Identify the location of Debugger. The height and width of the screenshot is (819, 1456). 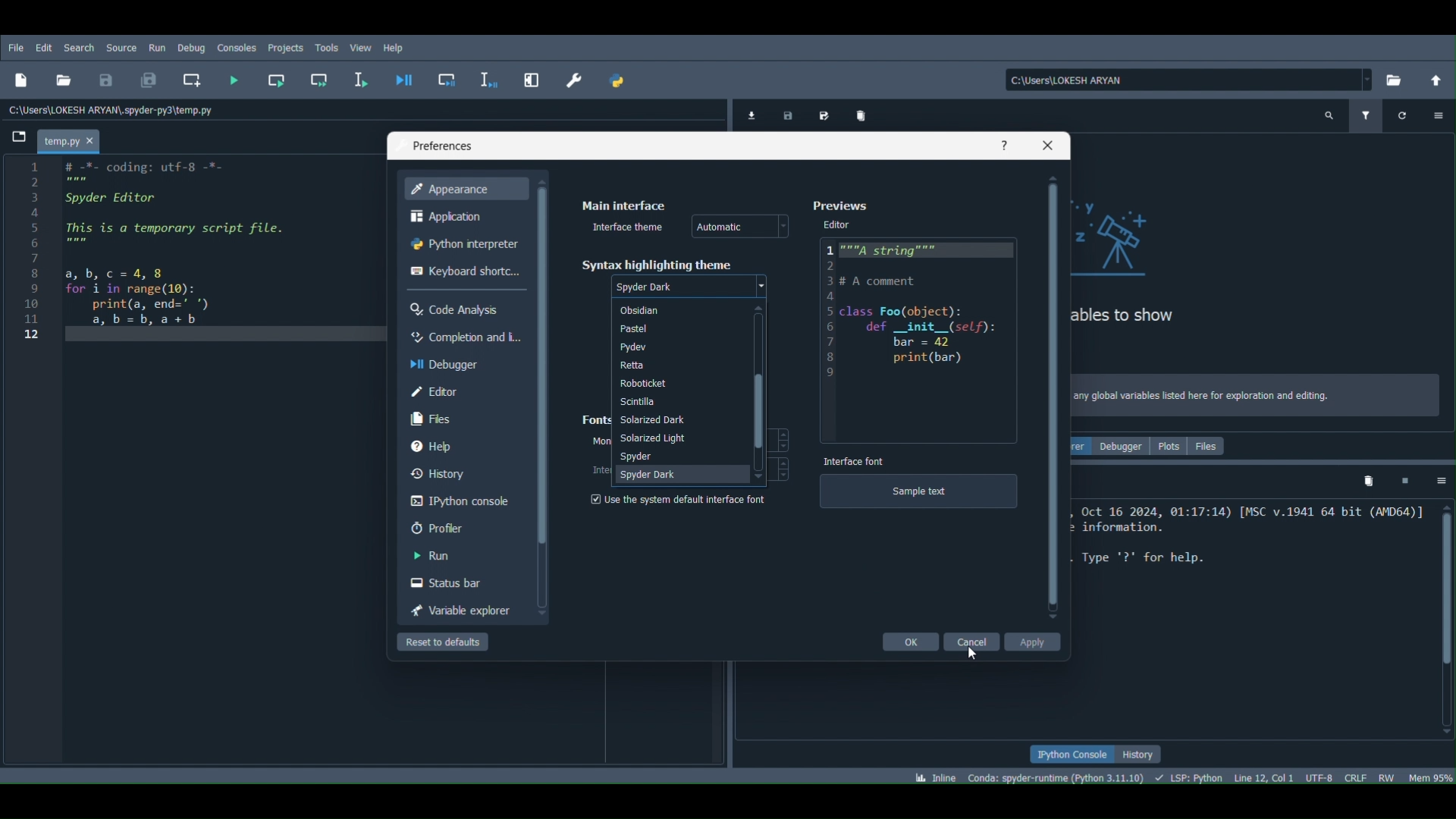
(1122, 447).